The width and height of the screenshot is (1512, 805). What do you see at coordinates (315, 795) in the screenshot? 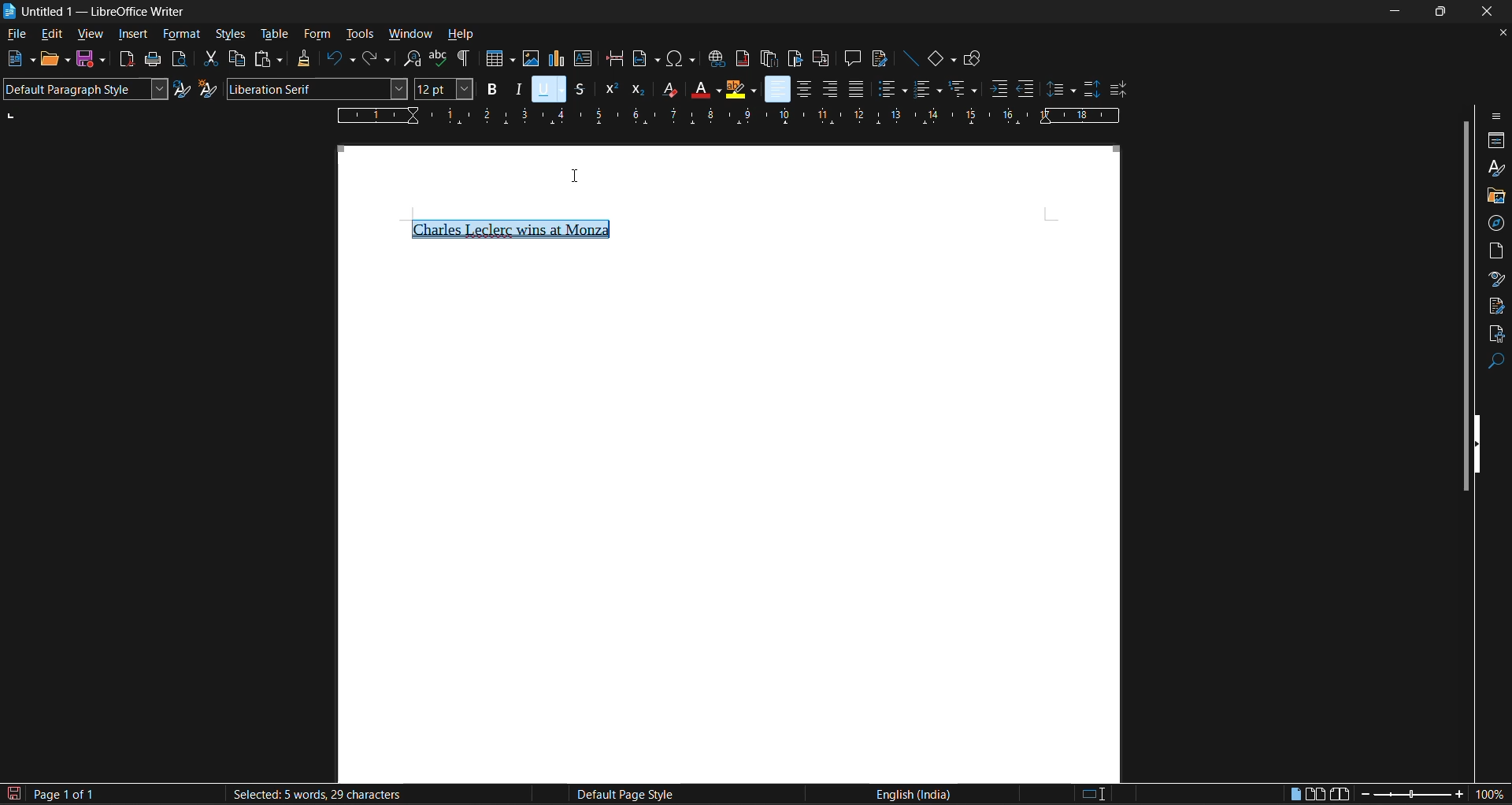
I see `selected word and character count` at bounding box center [315, 795].